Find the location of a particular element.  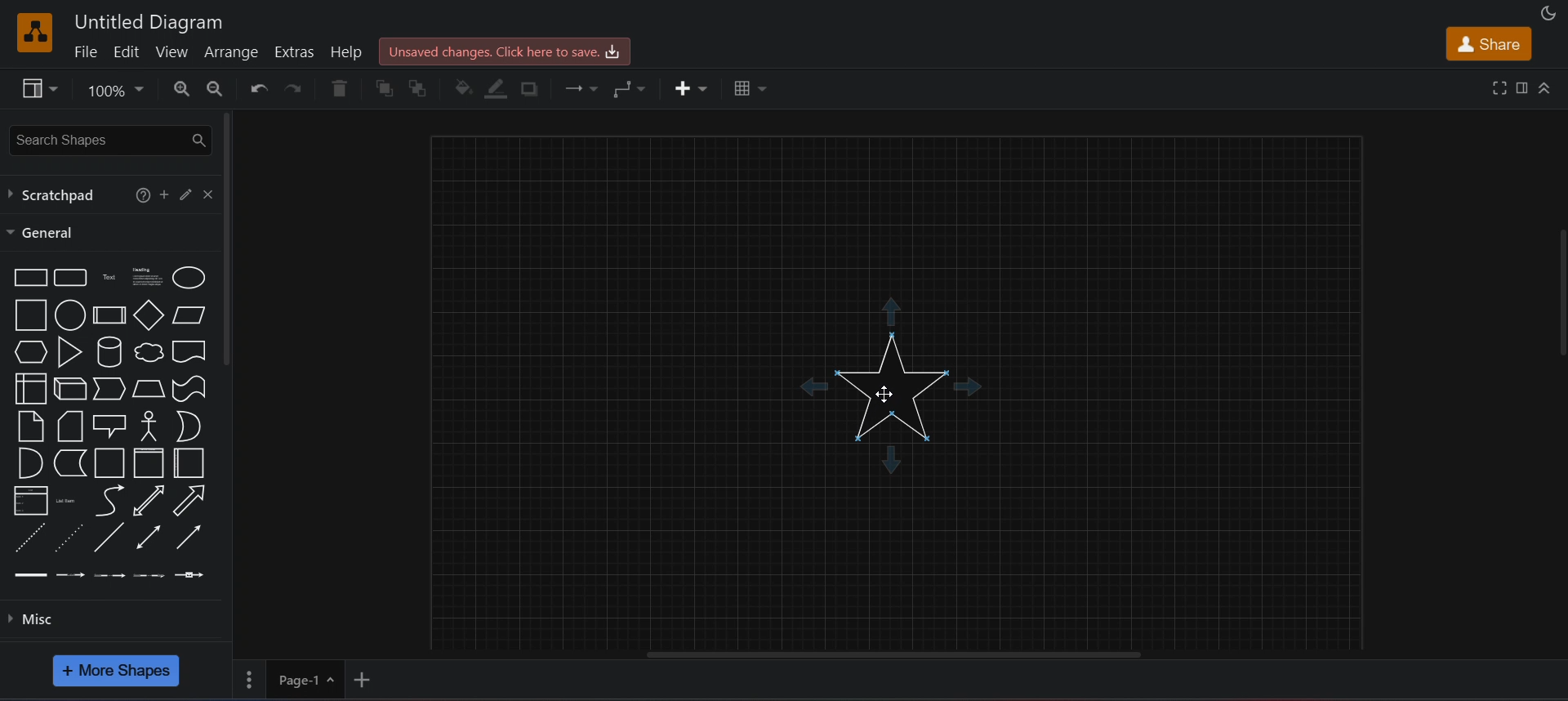

close is located at coordinates (208, 194).